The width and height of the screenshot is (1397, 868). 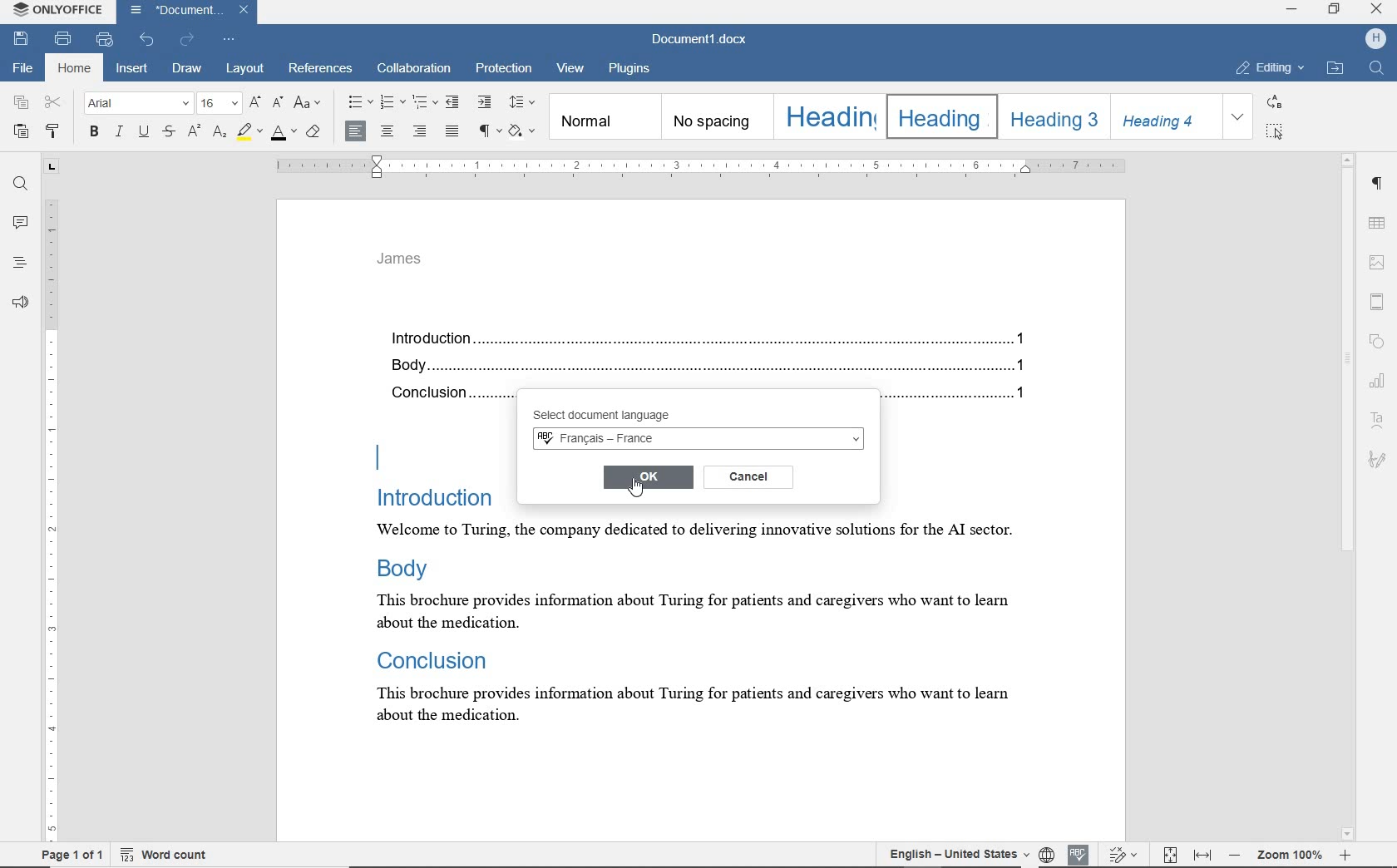 I want to click on language, so click(x=1046, y=854).